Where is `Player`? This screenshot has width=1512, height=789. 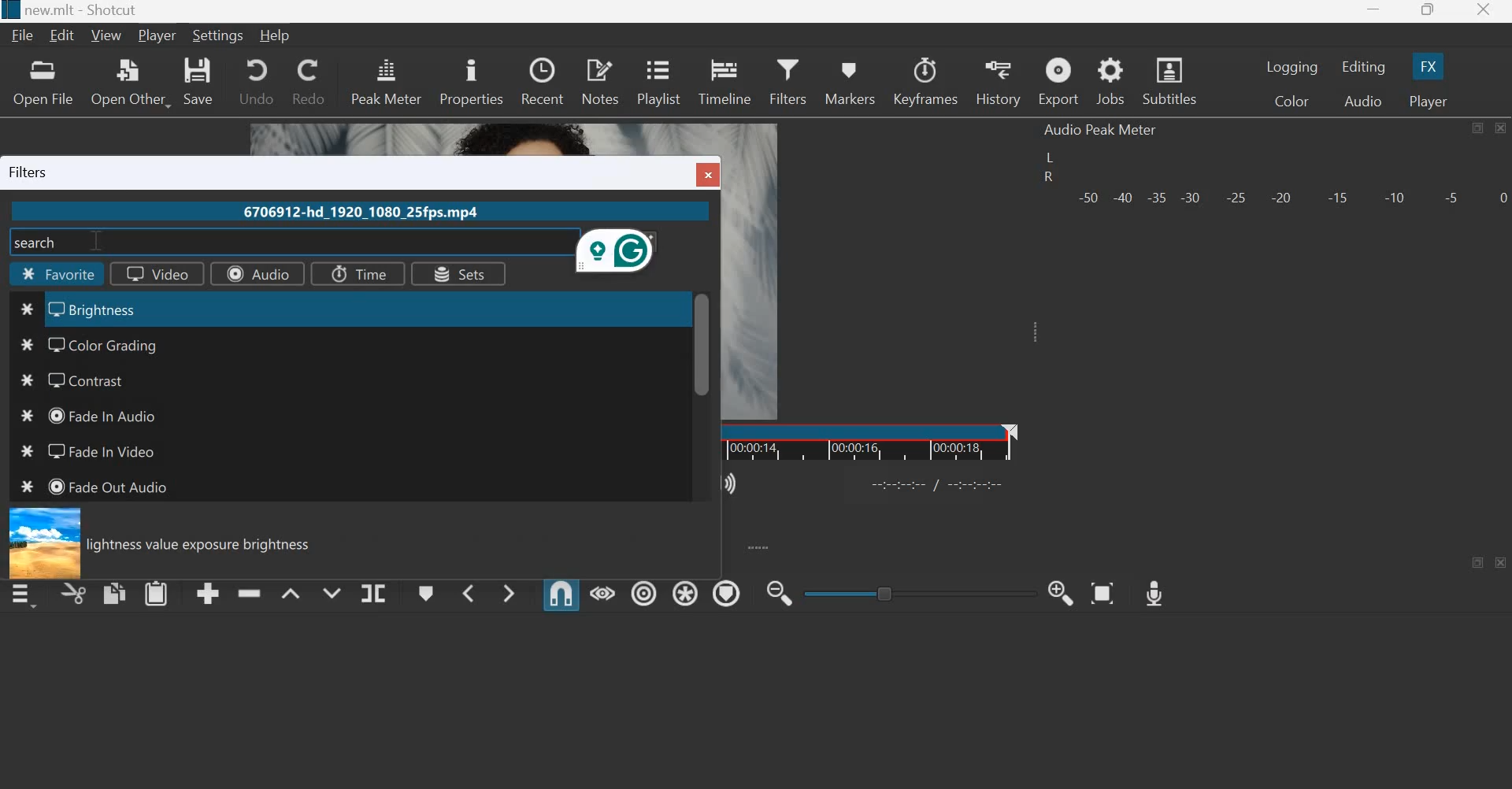
Player is located at coordinates (157, 36).